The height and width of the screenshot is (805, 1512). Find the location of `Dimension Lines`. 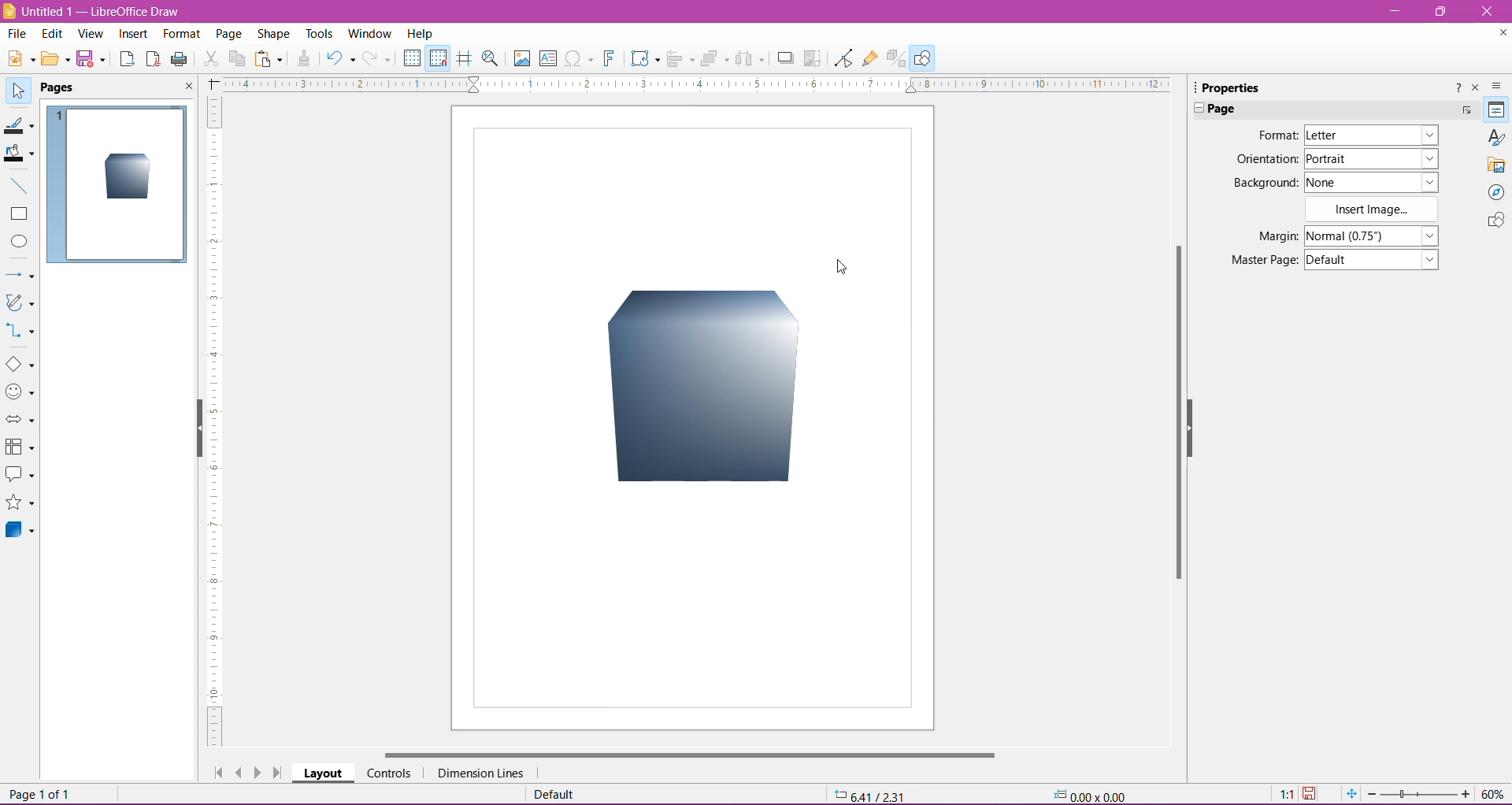

Dimension Lines is located at coordinates (482, 773).